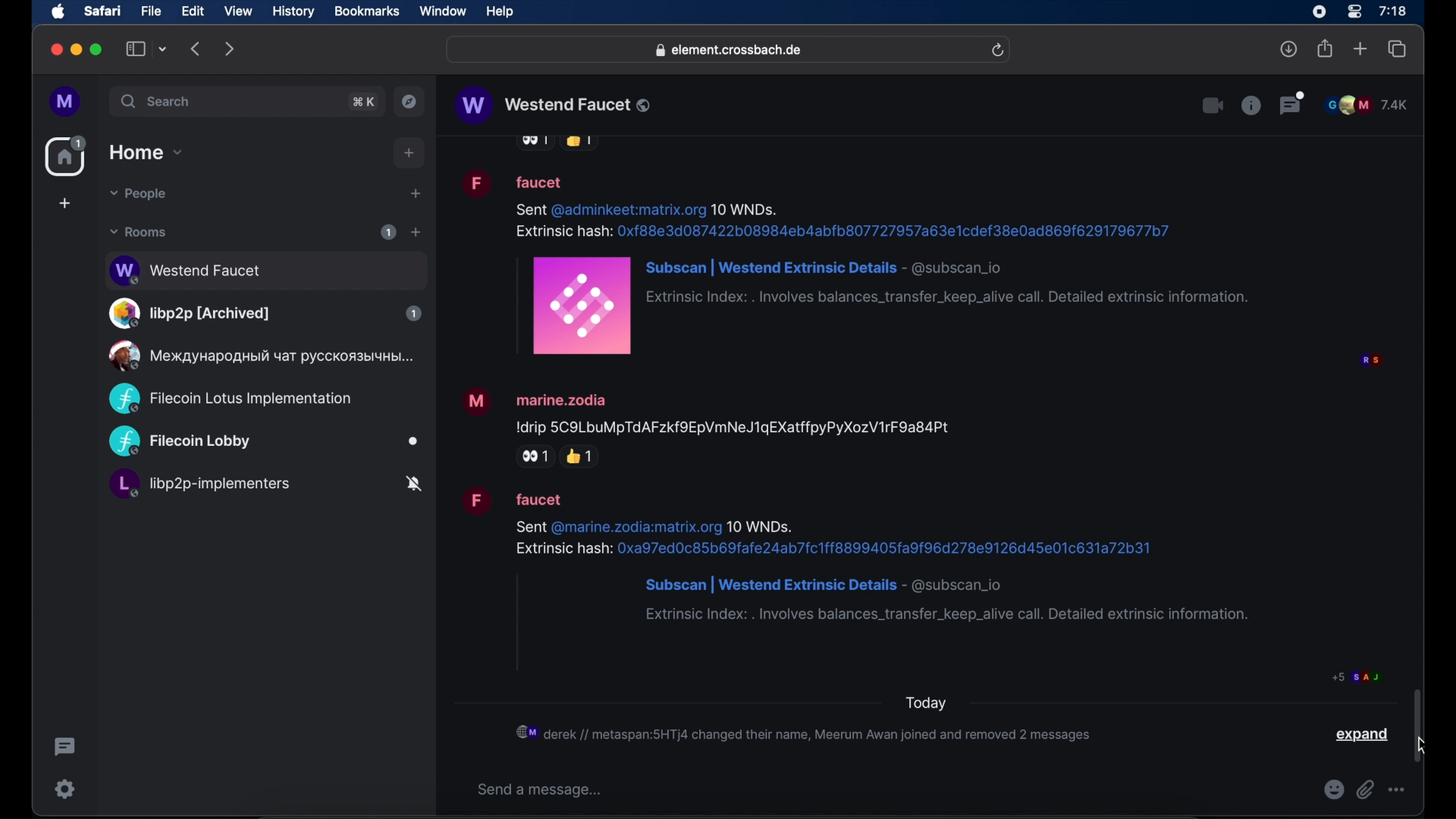 The height and width of the screenshot is (819, 1456). Describe the element at coordinates (67, 156) in the screenshot. I see `home` at that location.